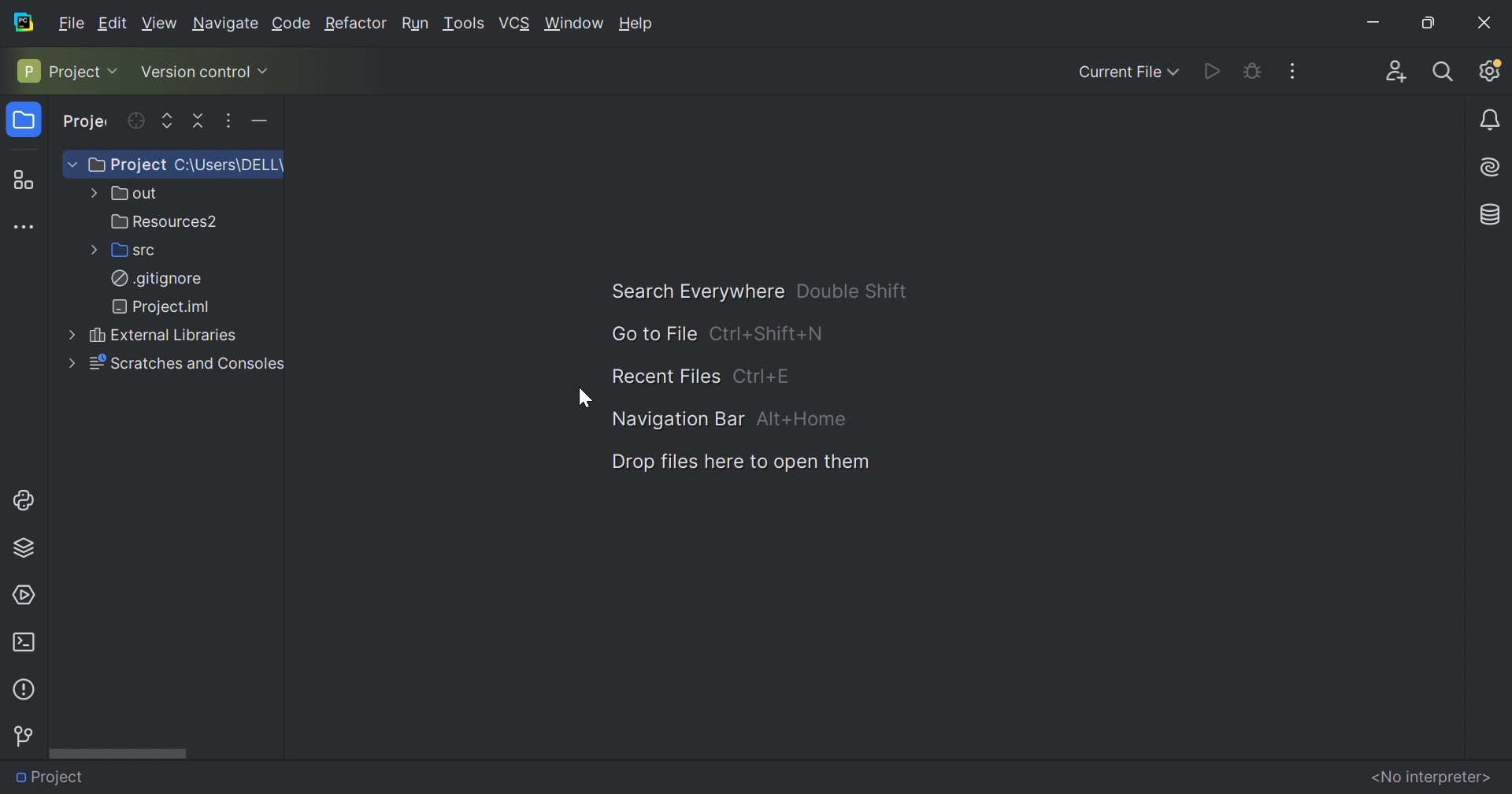 Image resolution: width=1512 pixels, height=794 pixels. Describe the element at coordinates (265, 69) in the screenshot. I see `Drop Down` at that location.